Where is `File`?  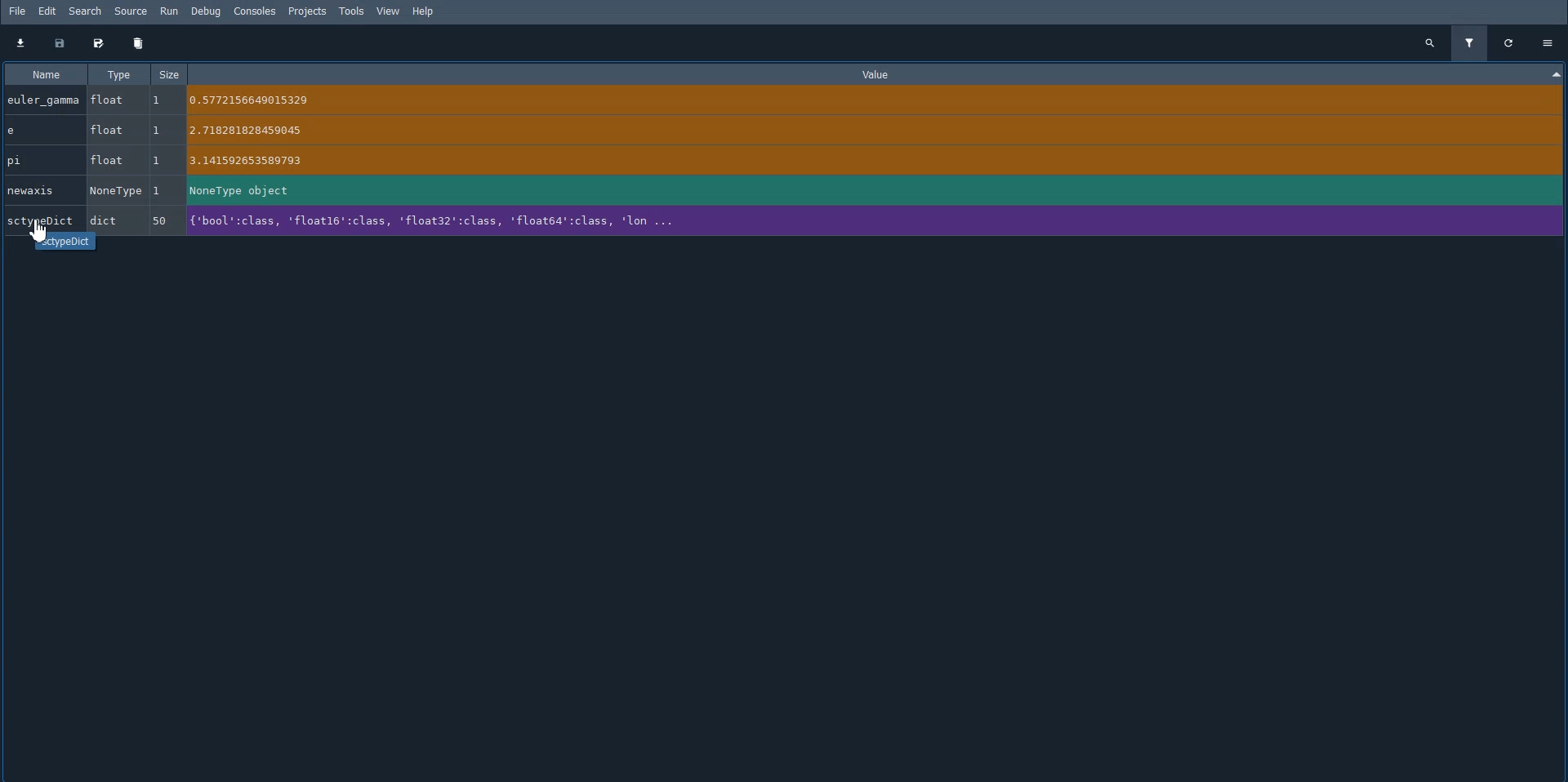
File is located at coordinates (15, 11).